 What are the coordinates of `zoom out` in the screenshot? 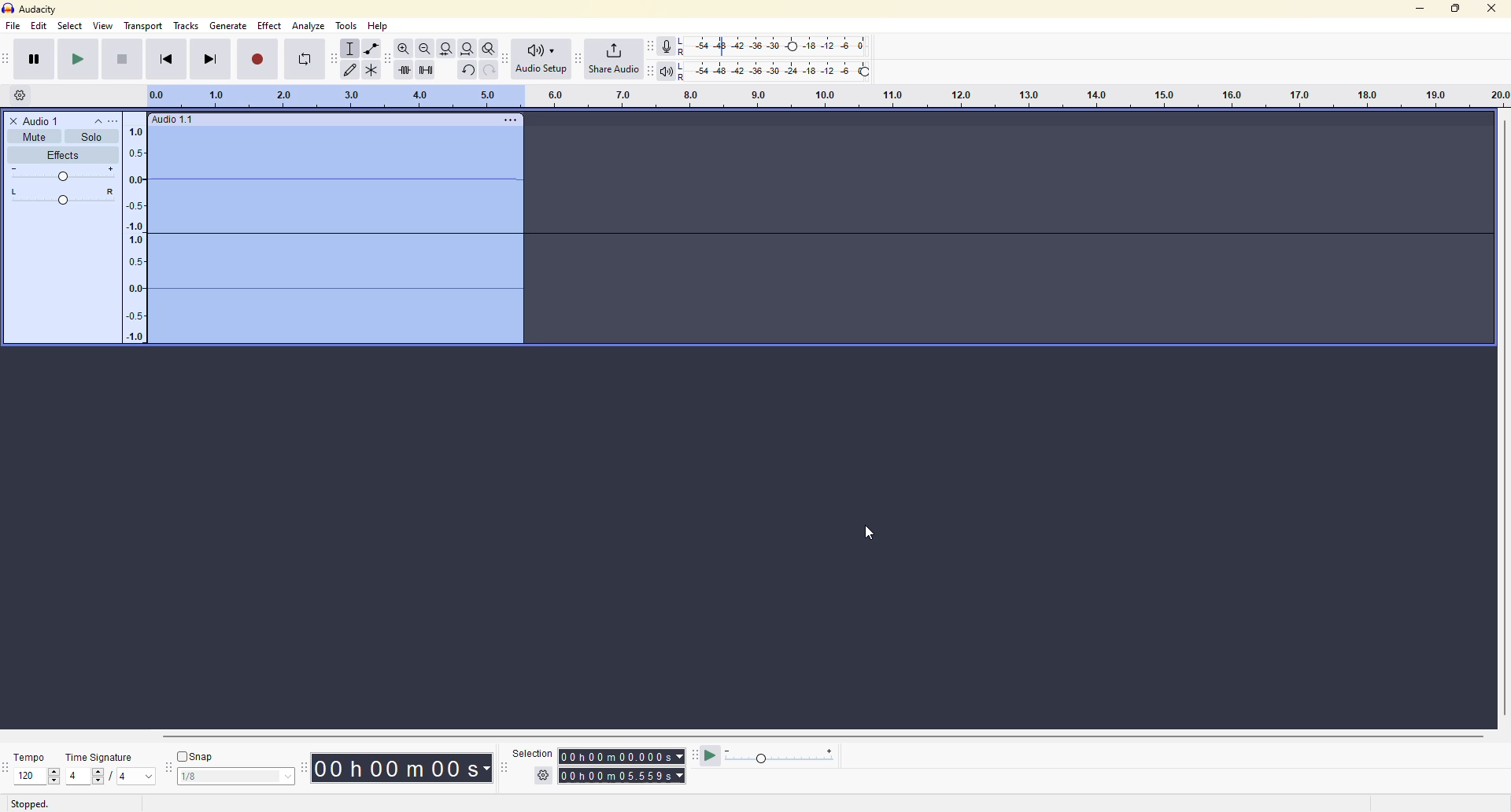 It's located at (424, 48).